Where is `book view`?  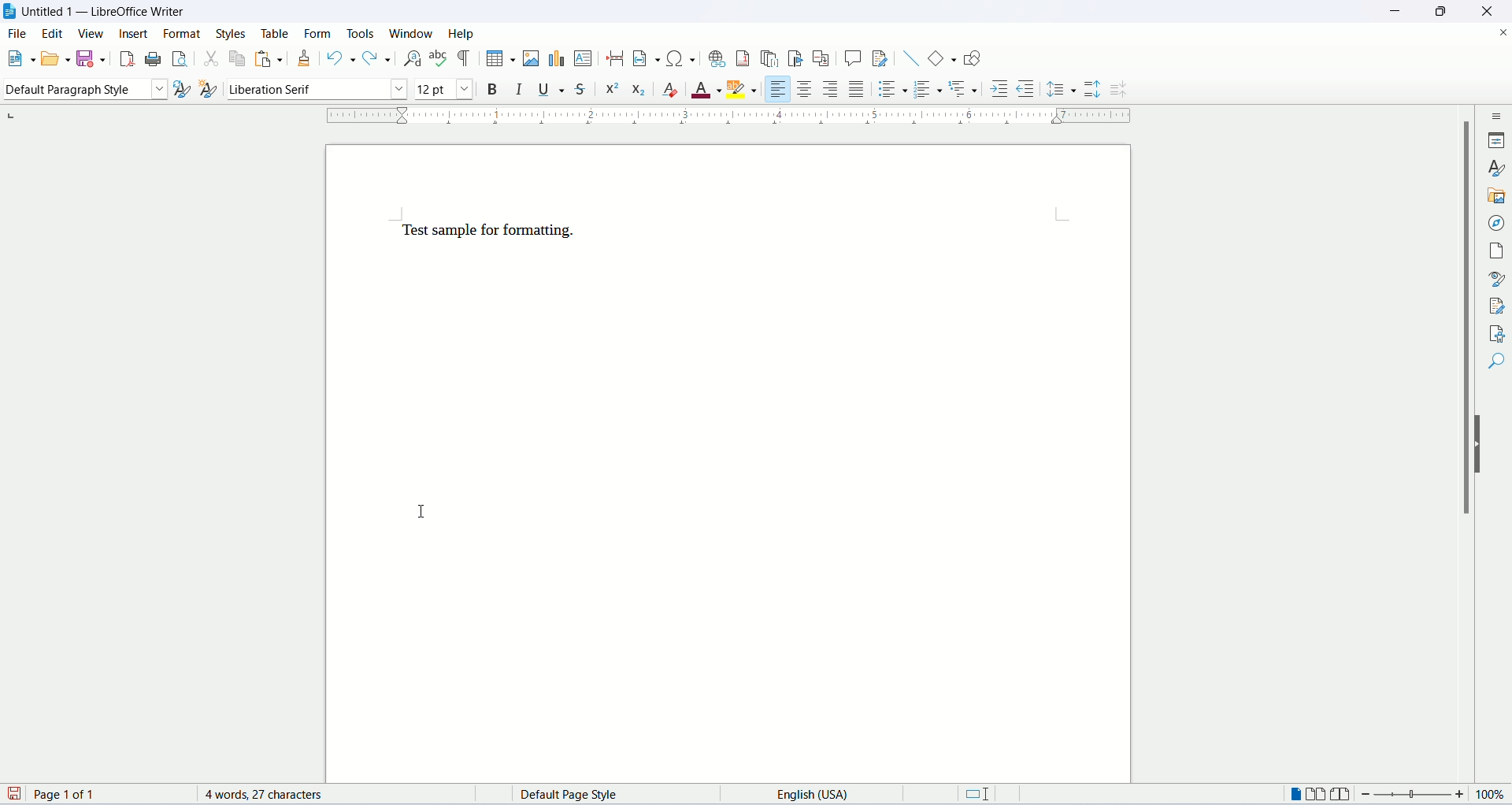 book view is located at coordinates (1343, 794).